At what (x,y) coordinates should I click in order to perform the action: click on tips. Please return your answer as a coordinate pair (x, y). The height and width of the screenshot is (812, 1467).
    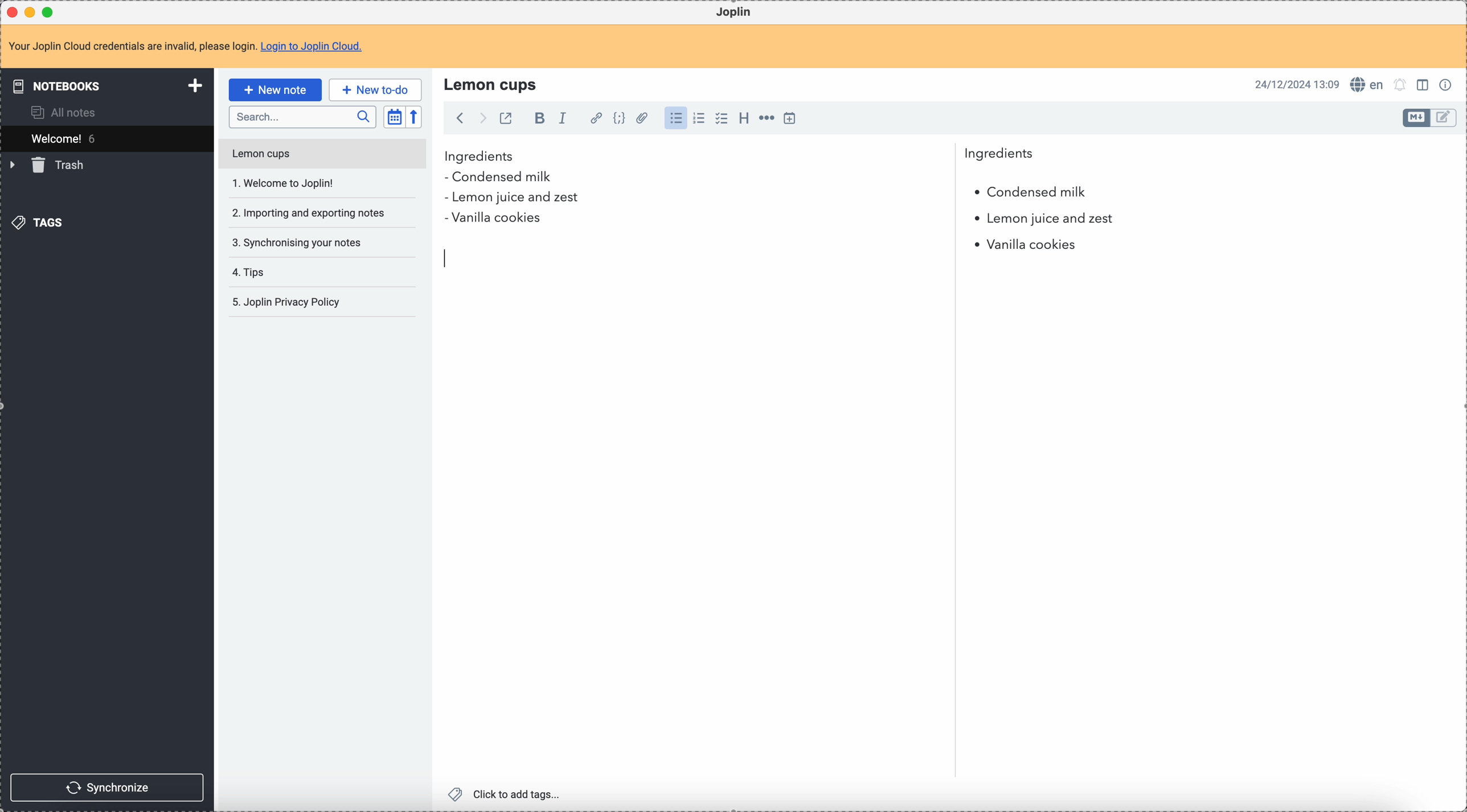
    Looking at the image, I should click on (251, 273).